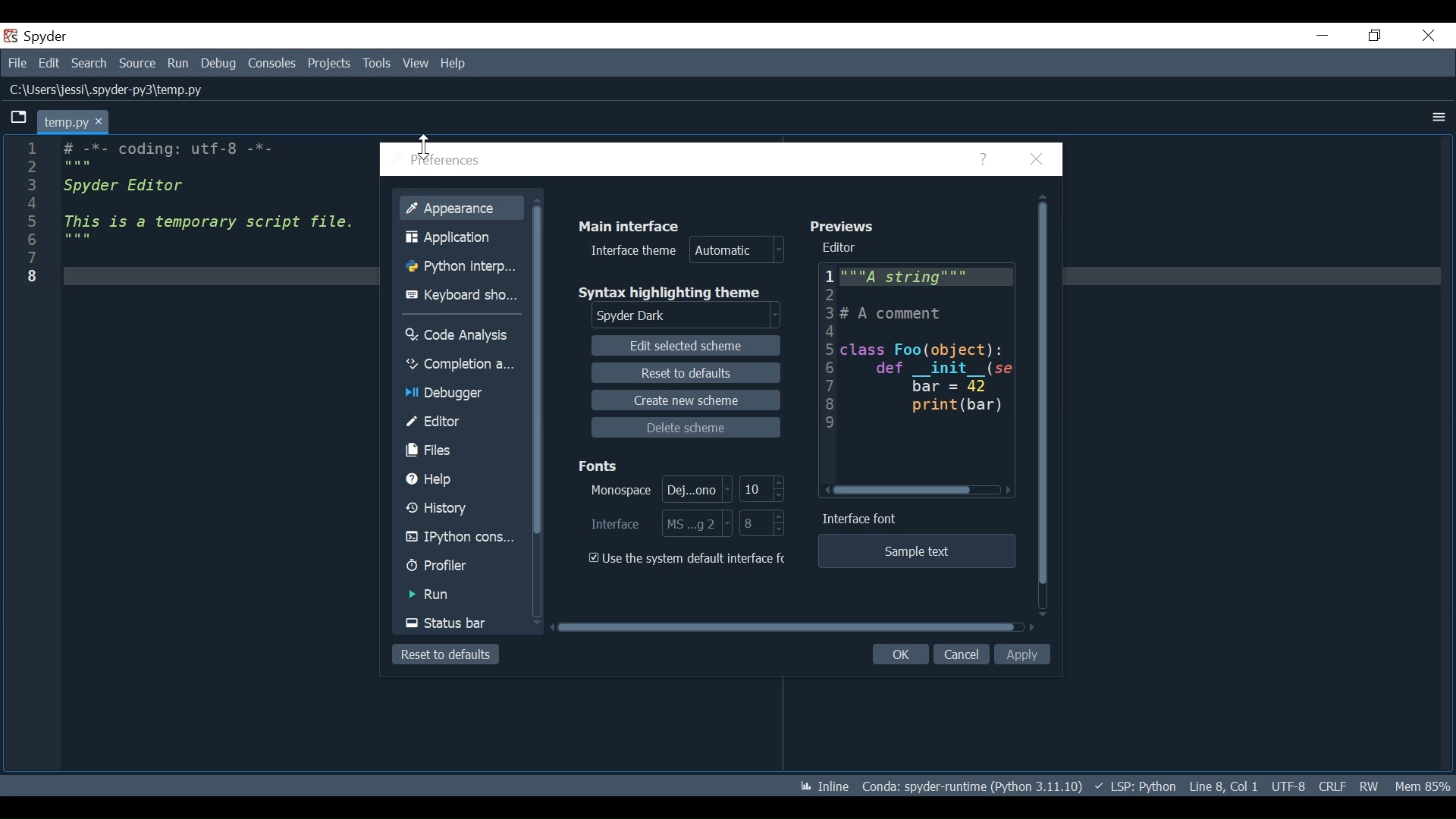  Describe the element at coordinates (686, 428) in the screenshot. I see `Delete Scheme` at that location.